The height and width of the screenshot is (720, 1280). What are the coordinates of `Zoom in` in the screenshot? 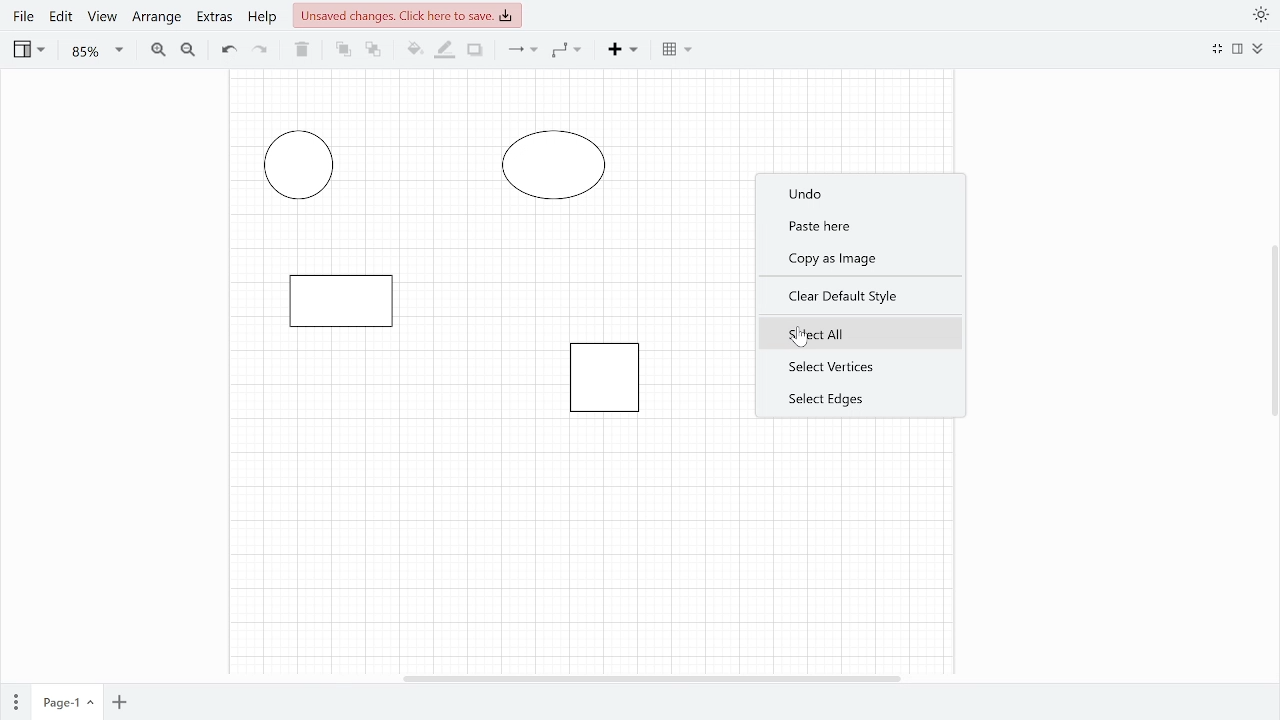 It's located at (159, 51).